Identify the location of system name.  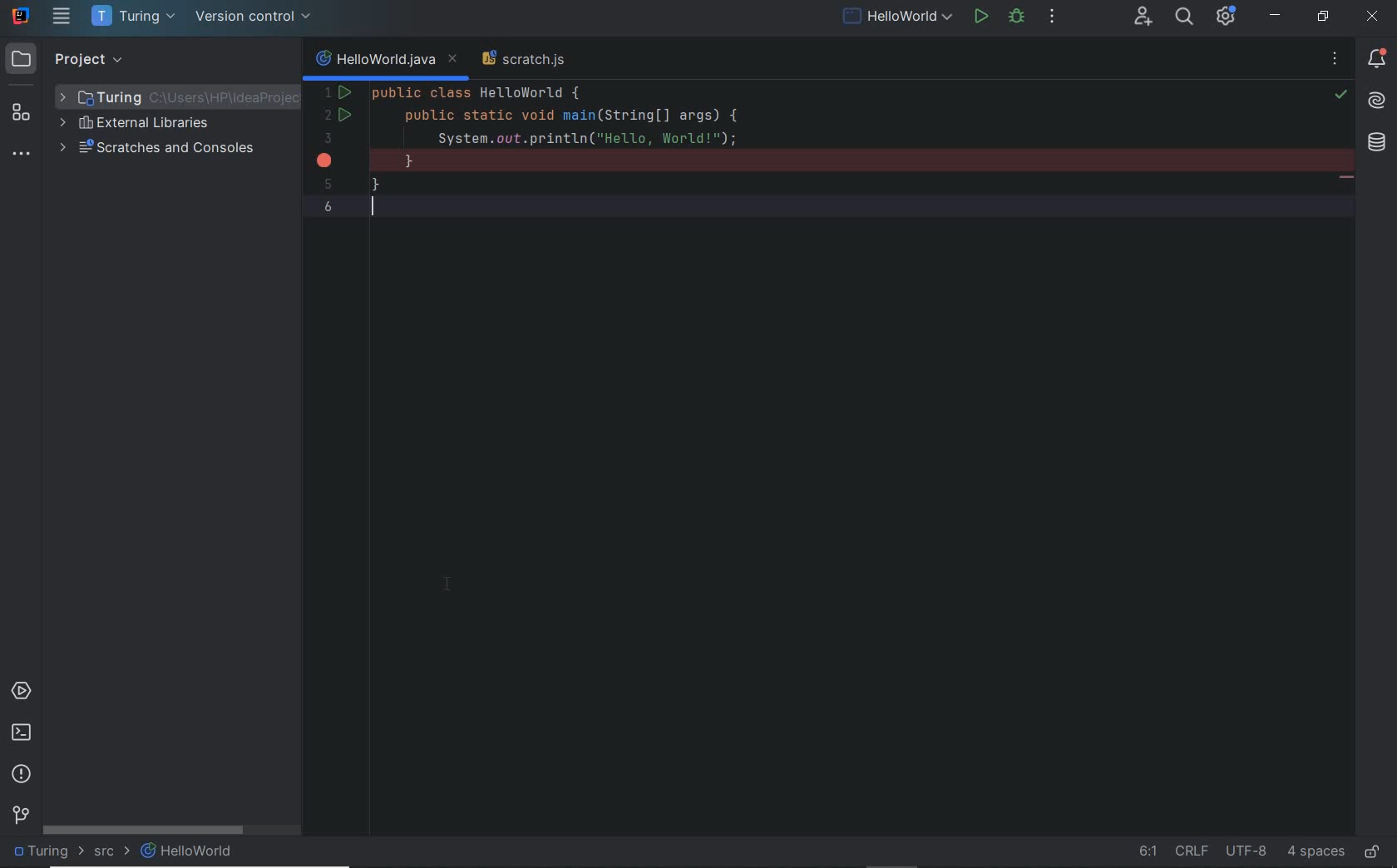
(19, 16).